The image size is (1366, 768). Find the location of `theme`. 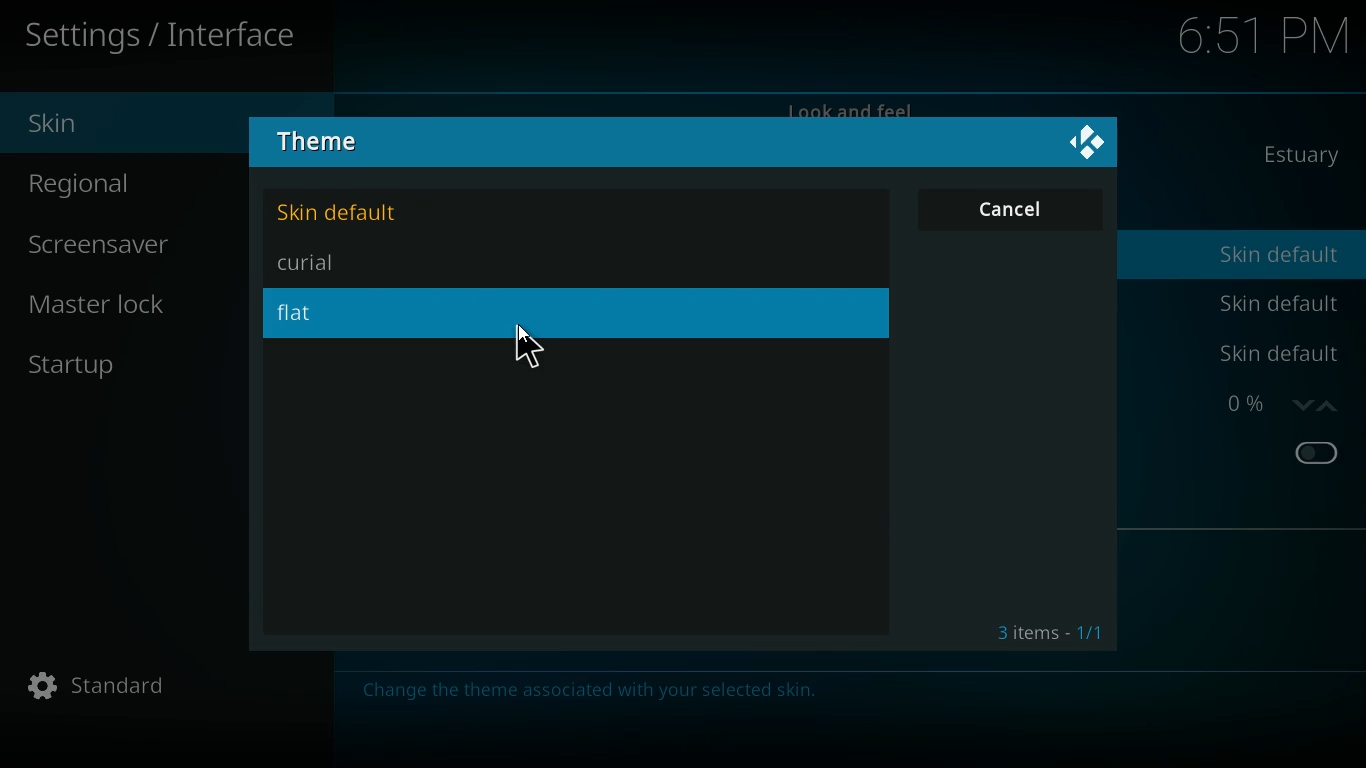

theme is located at coordinates (333, 144).